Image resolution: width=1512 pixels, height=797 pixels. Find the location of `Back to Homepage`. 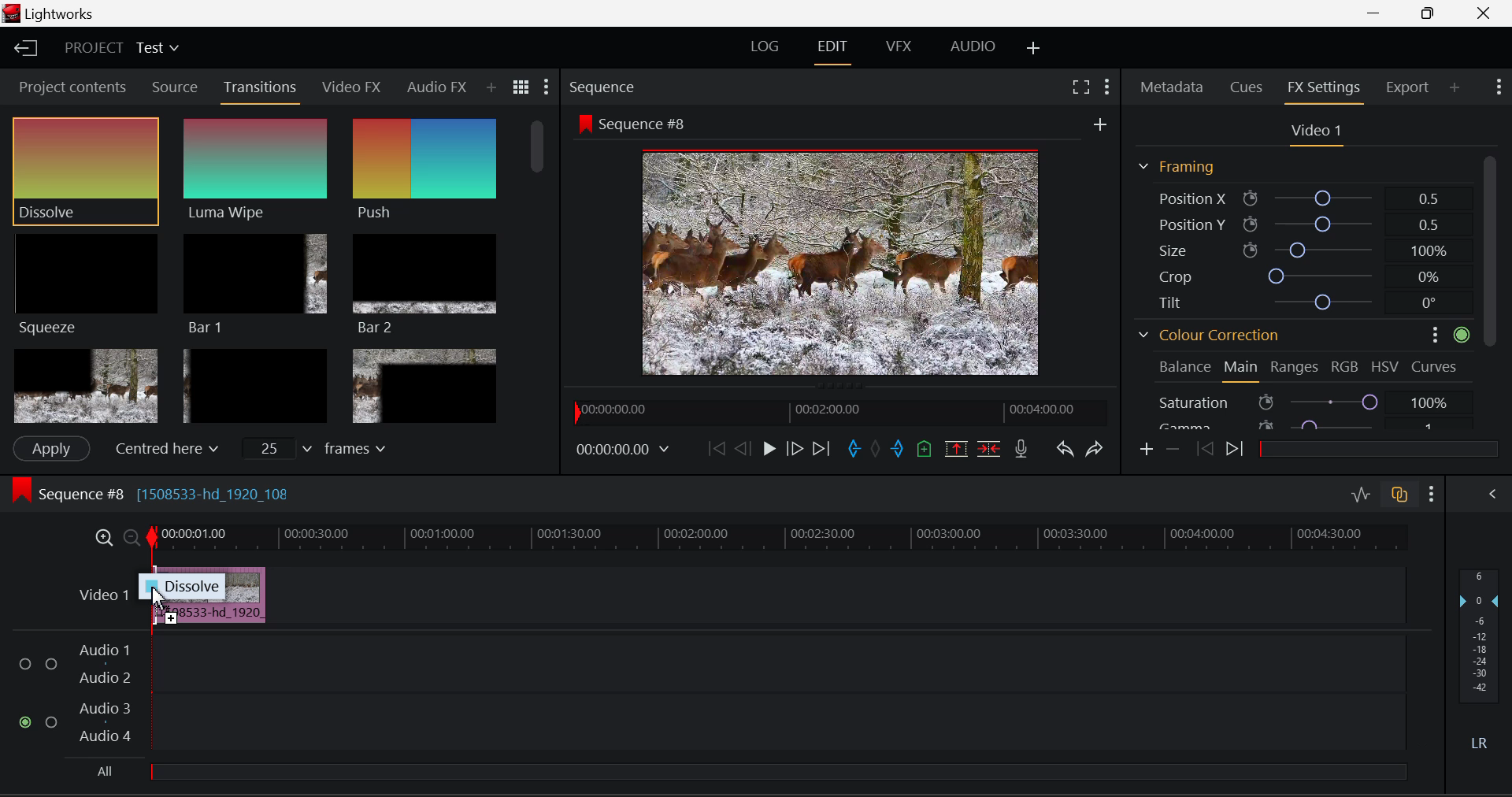

Back to Homepage is located at coordinates (24, 49).